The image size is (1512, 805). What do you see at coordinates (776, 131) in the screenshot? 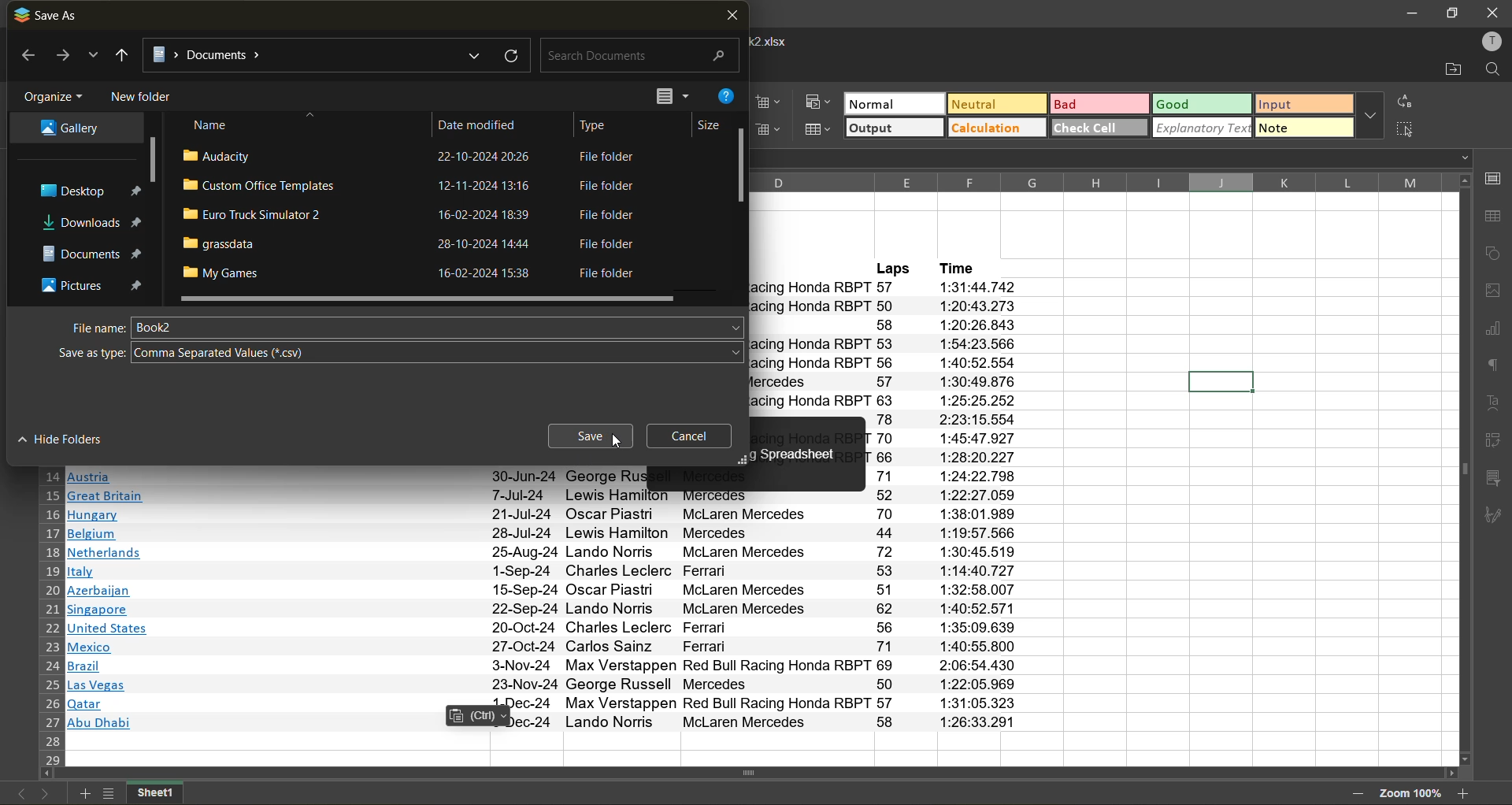
I see `delete cells` at bounding box center [776, 131].